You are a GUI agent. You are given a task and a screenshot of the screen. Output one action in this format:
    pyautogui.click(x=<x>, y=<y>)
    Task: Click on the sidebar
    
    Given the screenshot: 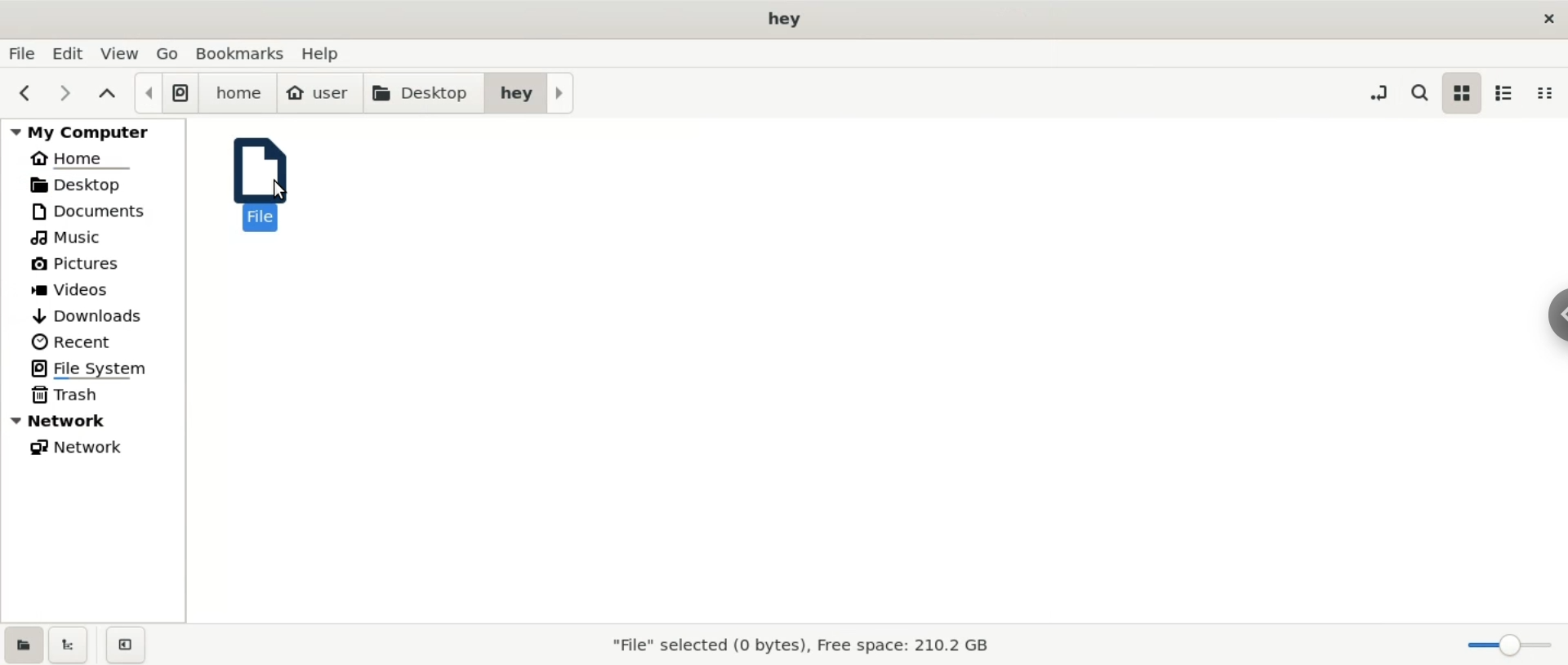 What is the action you would take?
    pyautogui.click(x=1558, y=316)
    